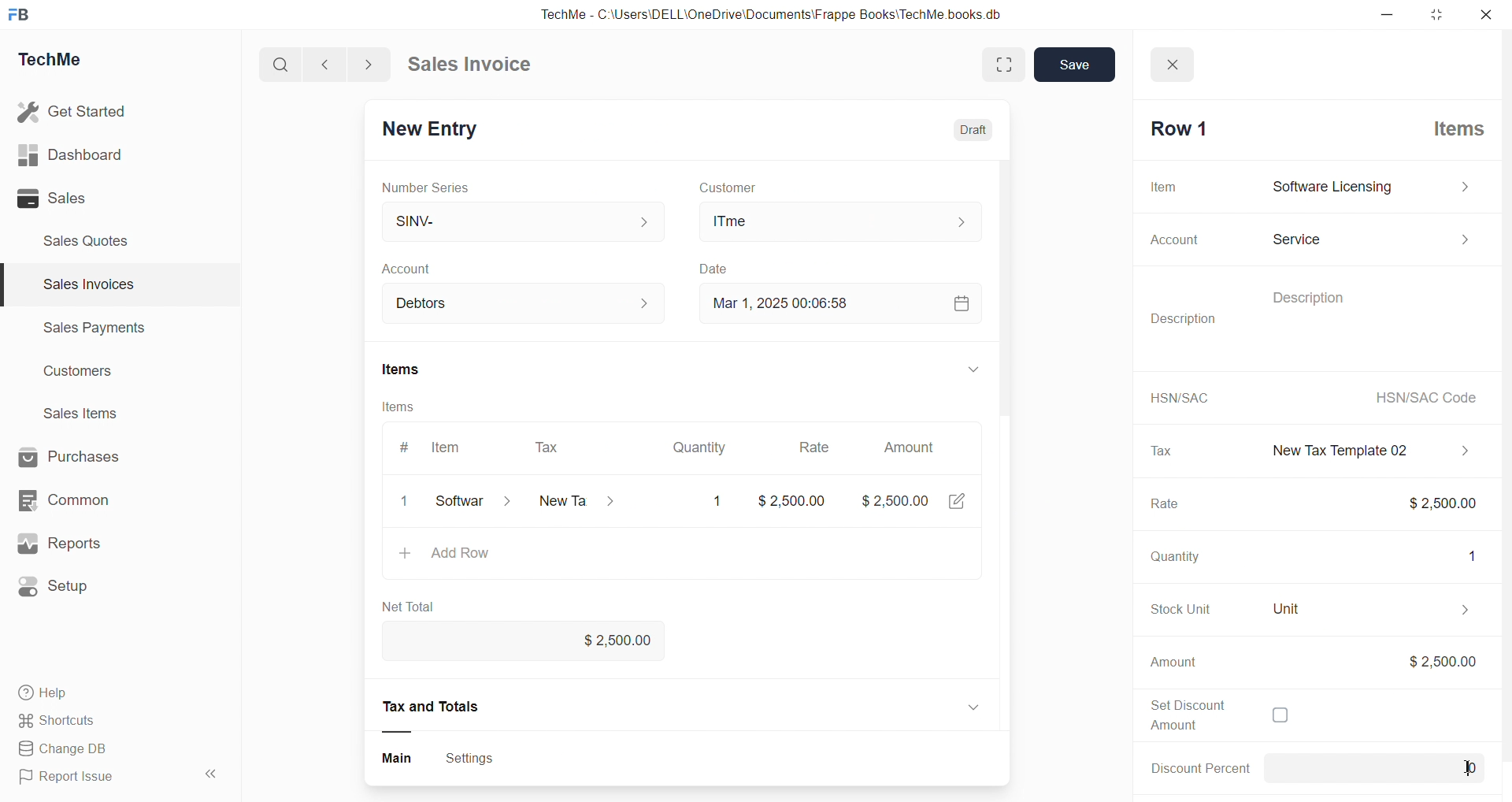  Describe the element at coordinates (470, 503) in the screenshot. I see `Softwar >` at that location.